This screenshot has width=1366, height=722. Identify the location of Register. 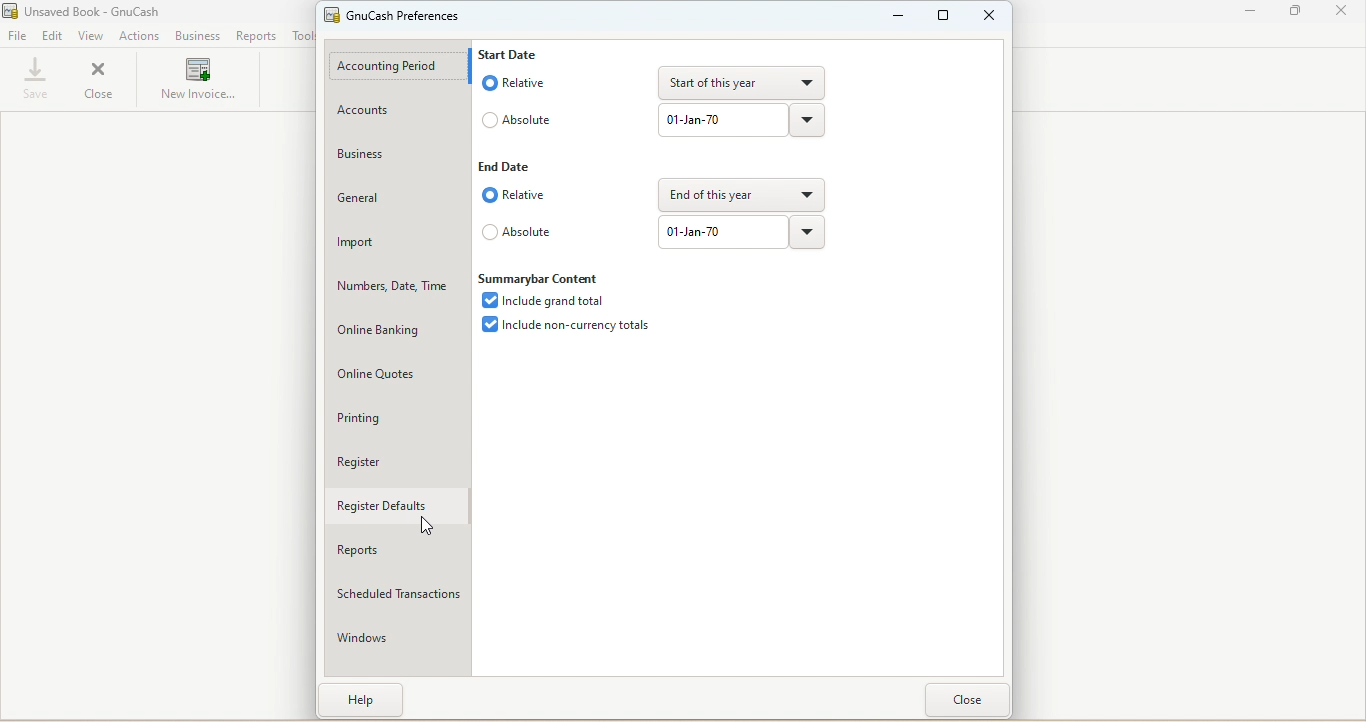
(394, 460).